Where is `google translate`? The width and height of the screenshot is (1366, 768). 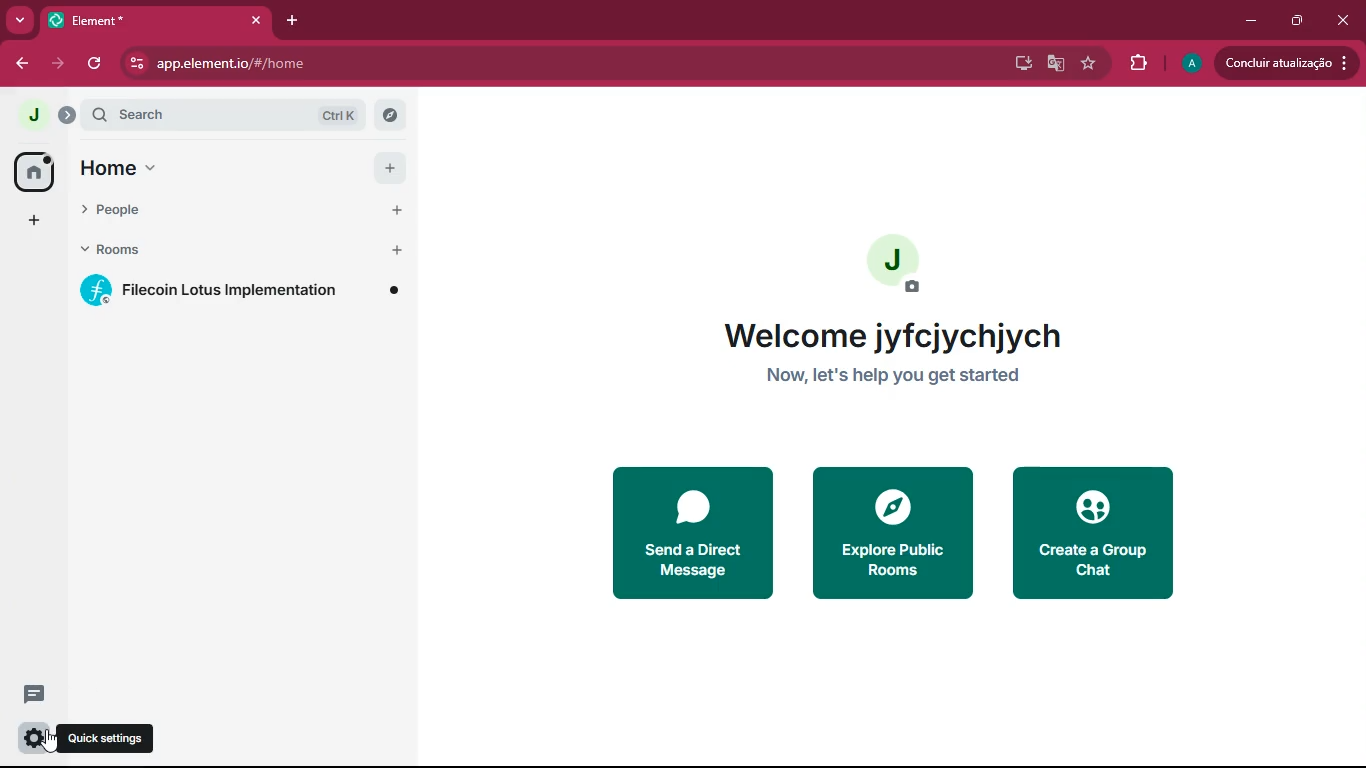 google translate is located at coordinates (1056, 63).